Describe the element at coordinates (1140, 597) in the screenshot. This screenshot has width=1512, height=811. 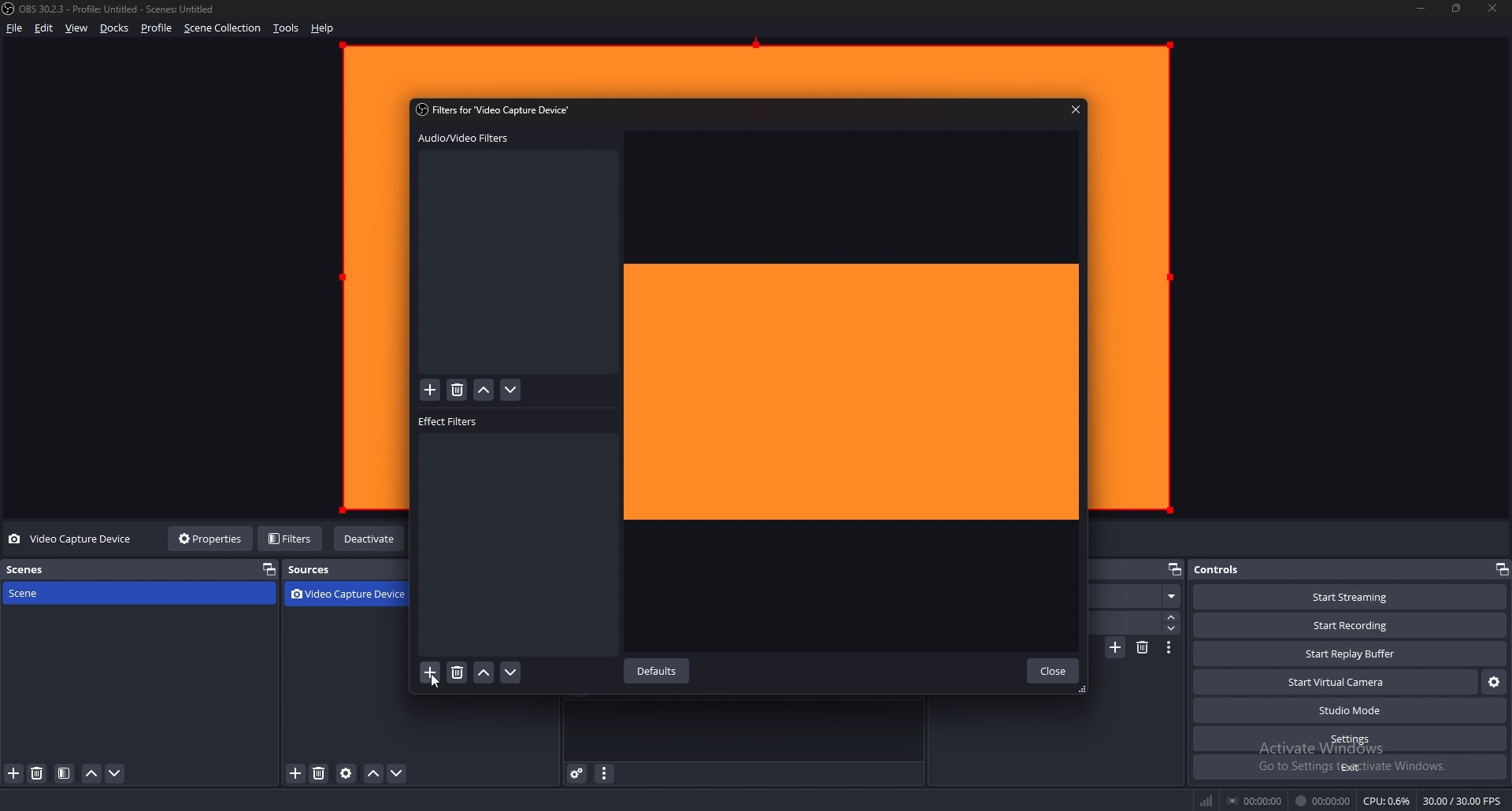
I see `fade` at that location.